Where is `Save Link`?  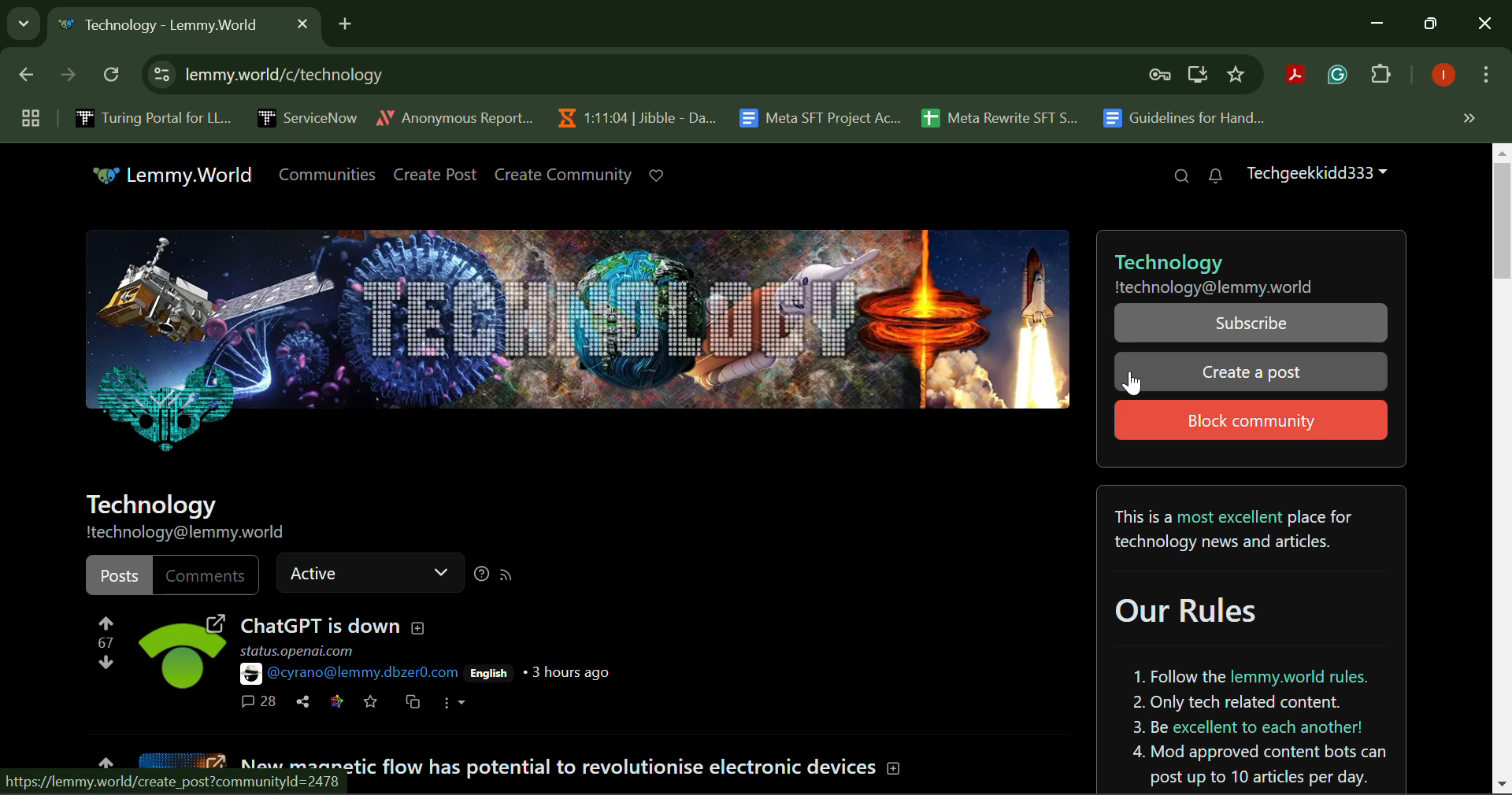
Save Link is located at coordinates (335, 701).